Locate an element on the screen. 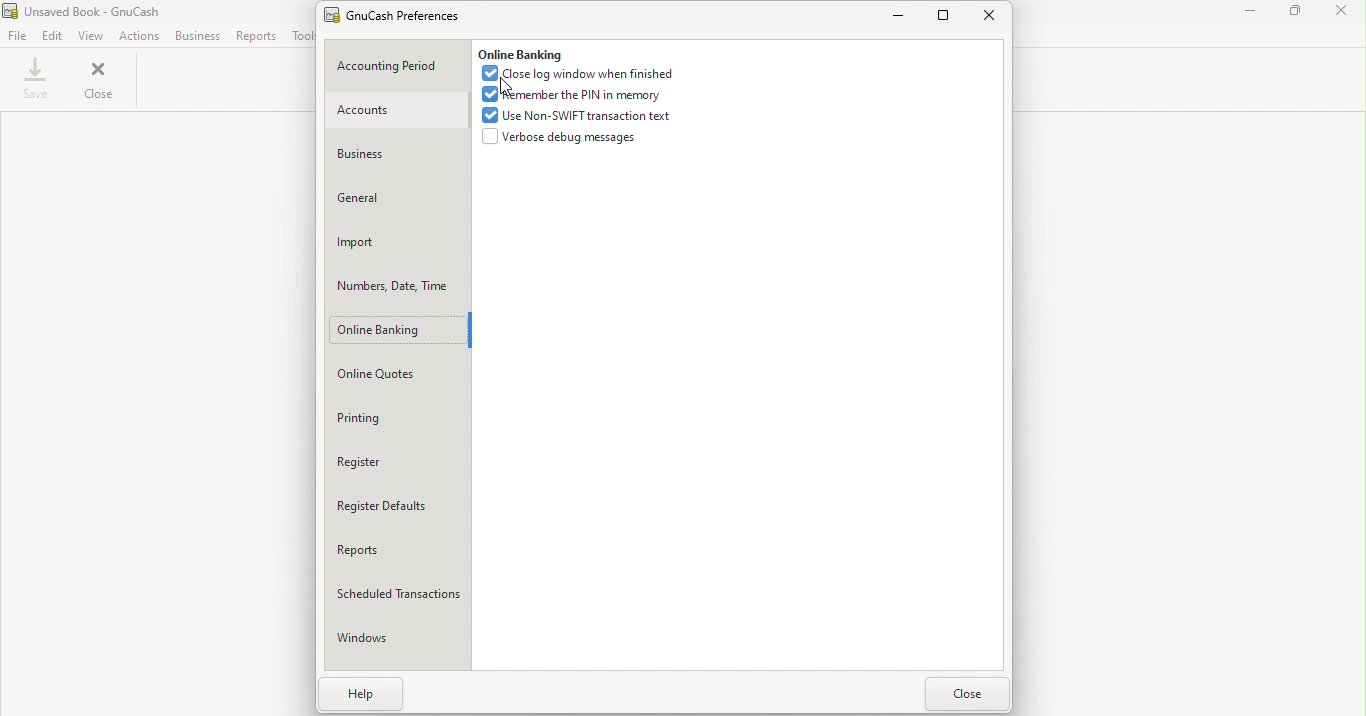 This screenshot has width=1366, height=716. Save is located at coordinates (36, 82).